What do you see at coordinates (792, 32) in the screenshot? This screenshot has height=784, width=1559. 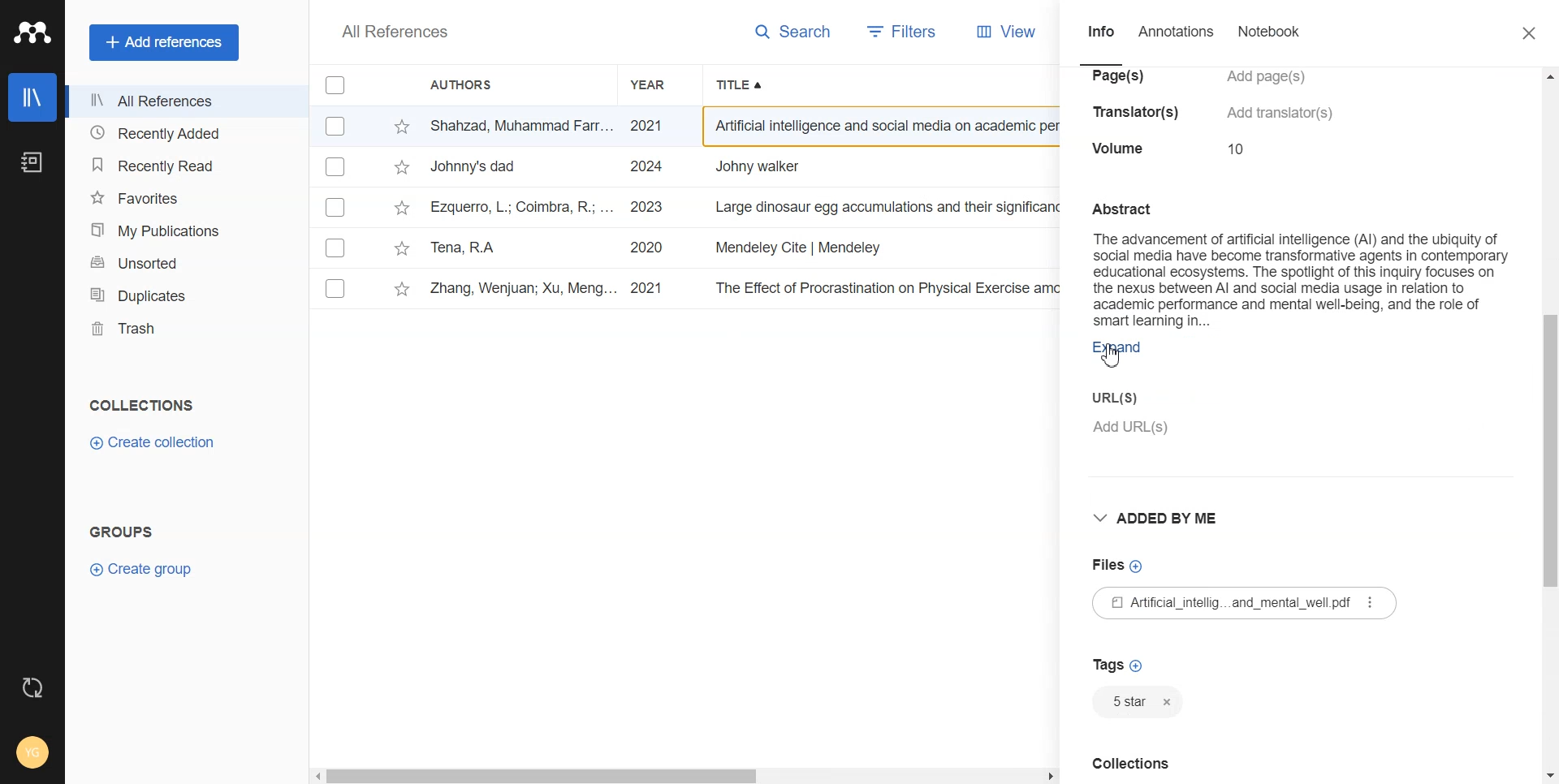 I see `Search` at bounding box center [792, 32].